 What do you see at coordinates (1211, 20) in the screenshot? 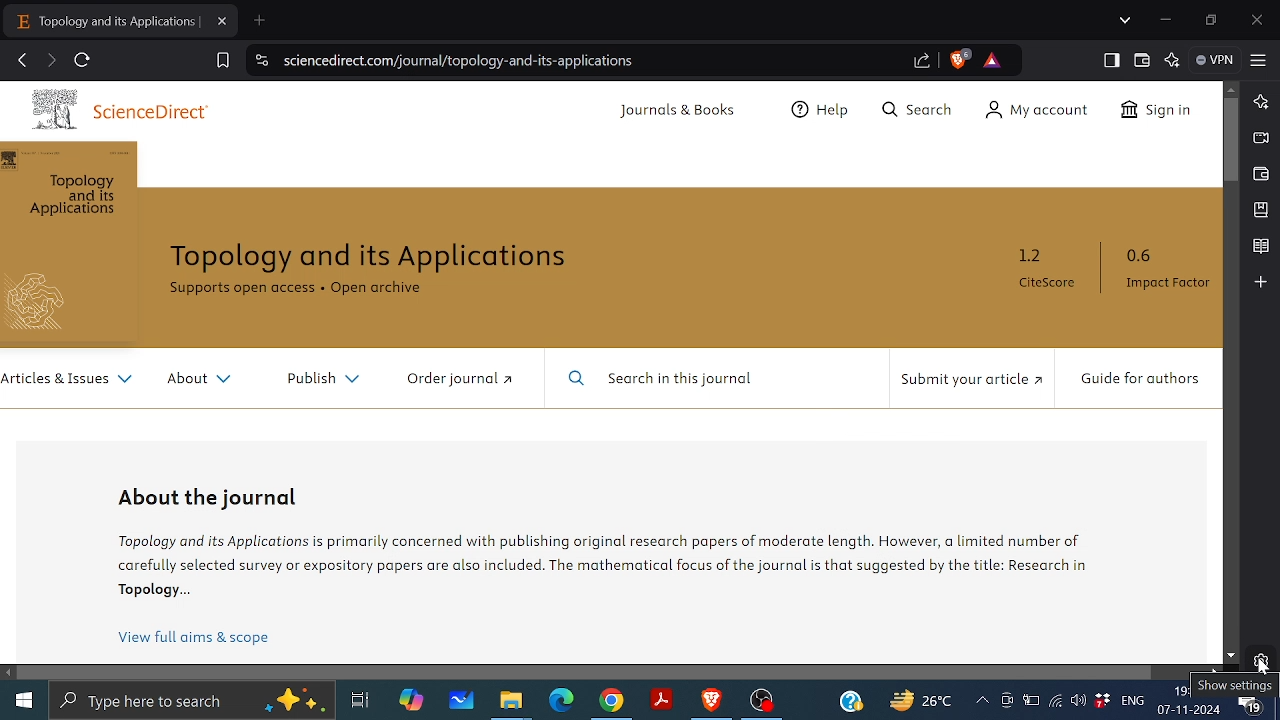
I see `Restore down` at bounding box center [1211, 20].